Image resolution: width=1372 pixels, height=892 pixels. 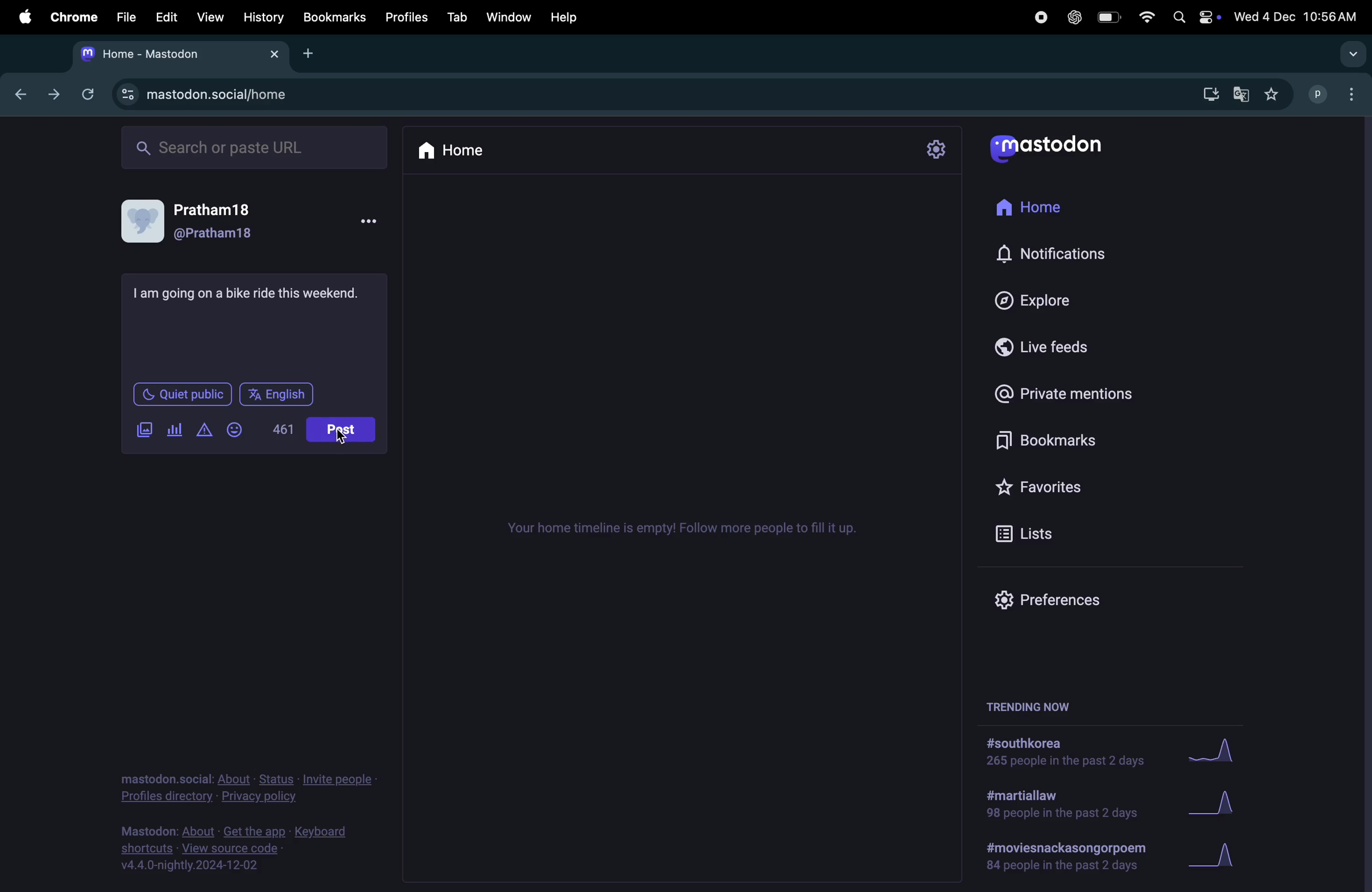 I want to click on 500 words, so click(x=281, y=430).